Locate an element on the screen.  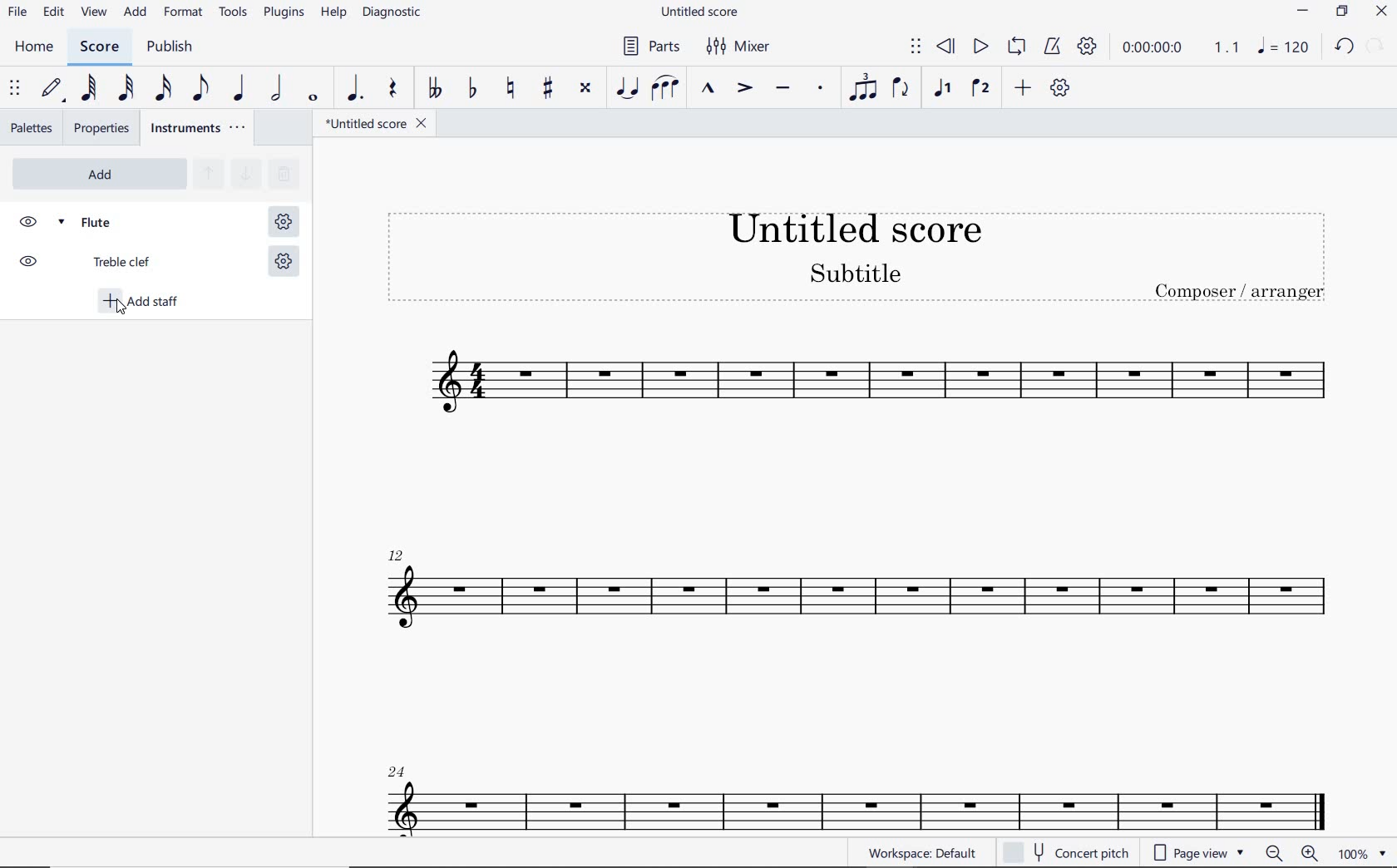
page view is located at coordinates (1197, 851).